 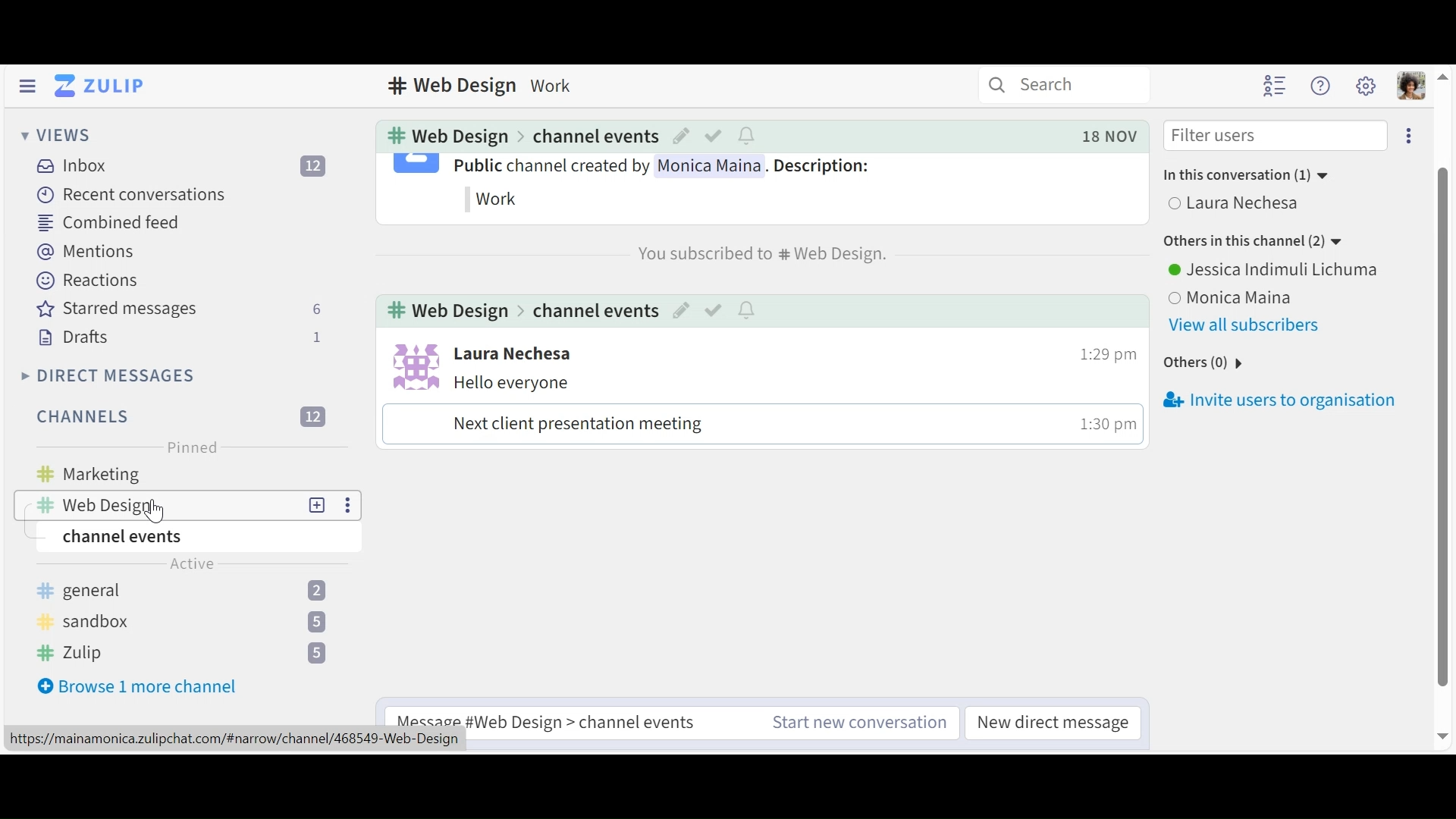 What do you see at coordinates (1106, 135) in the screenshot?
I see `18 NOV` at bounding box center [1106, 135].